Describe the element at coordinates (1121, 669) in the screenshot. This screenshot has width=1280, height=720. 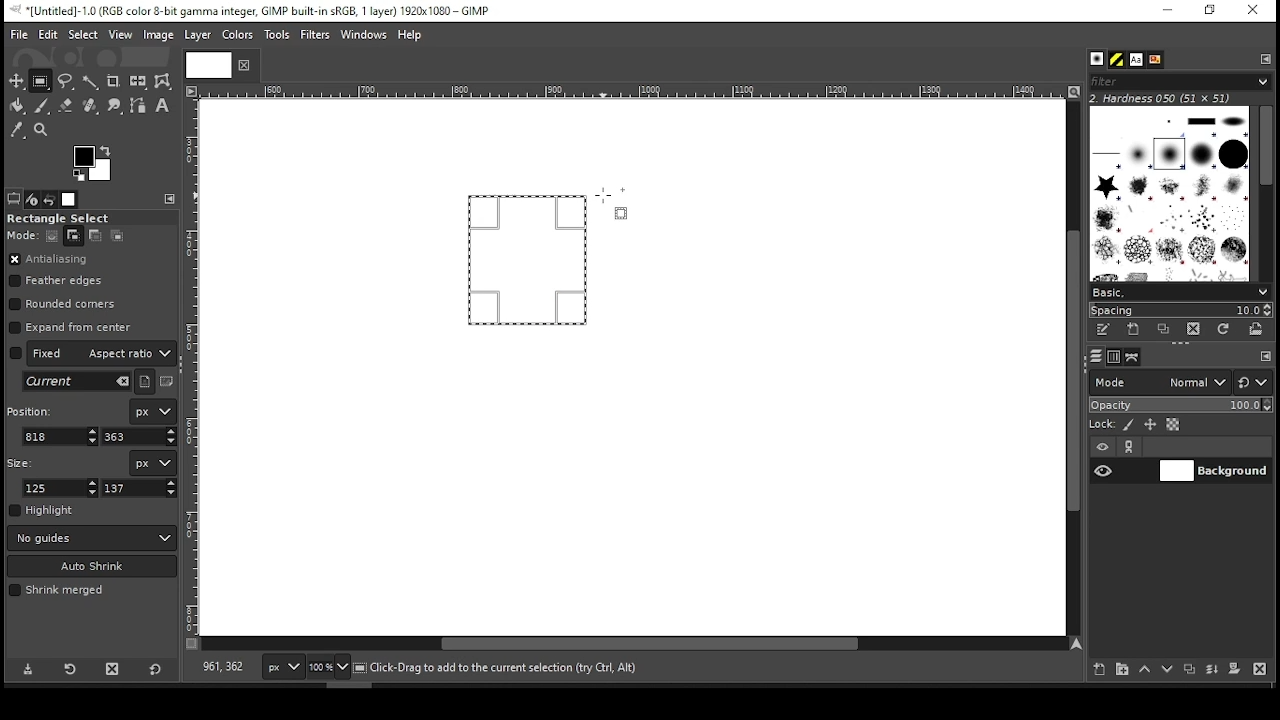
I see `new layer group  ` at that location.